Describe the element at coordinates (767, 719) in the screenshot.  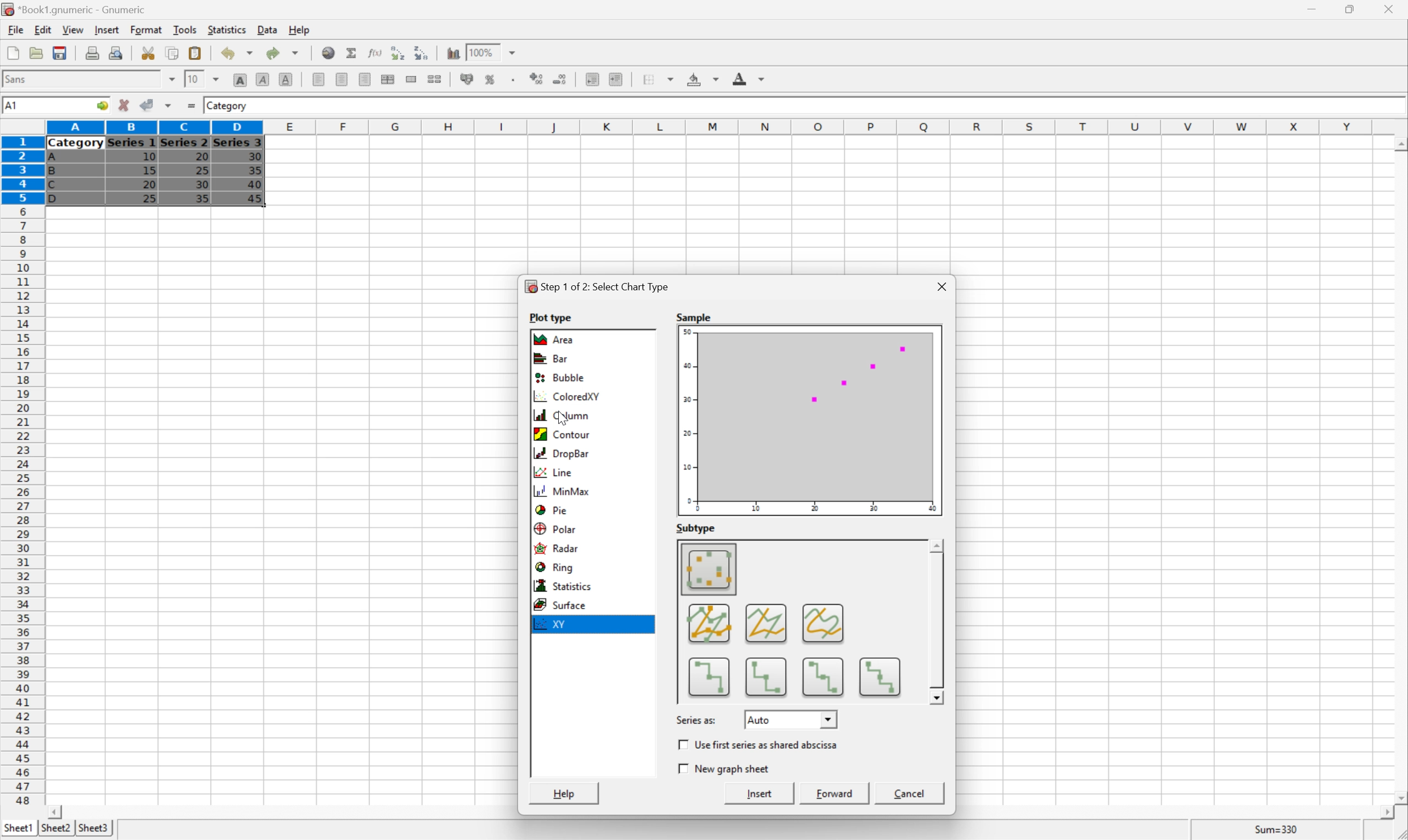
I see `Auto` at that location.